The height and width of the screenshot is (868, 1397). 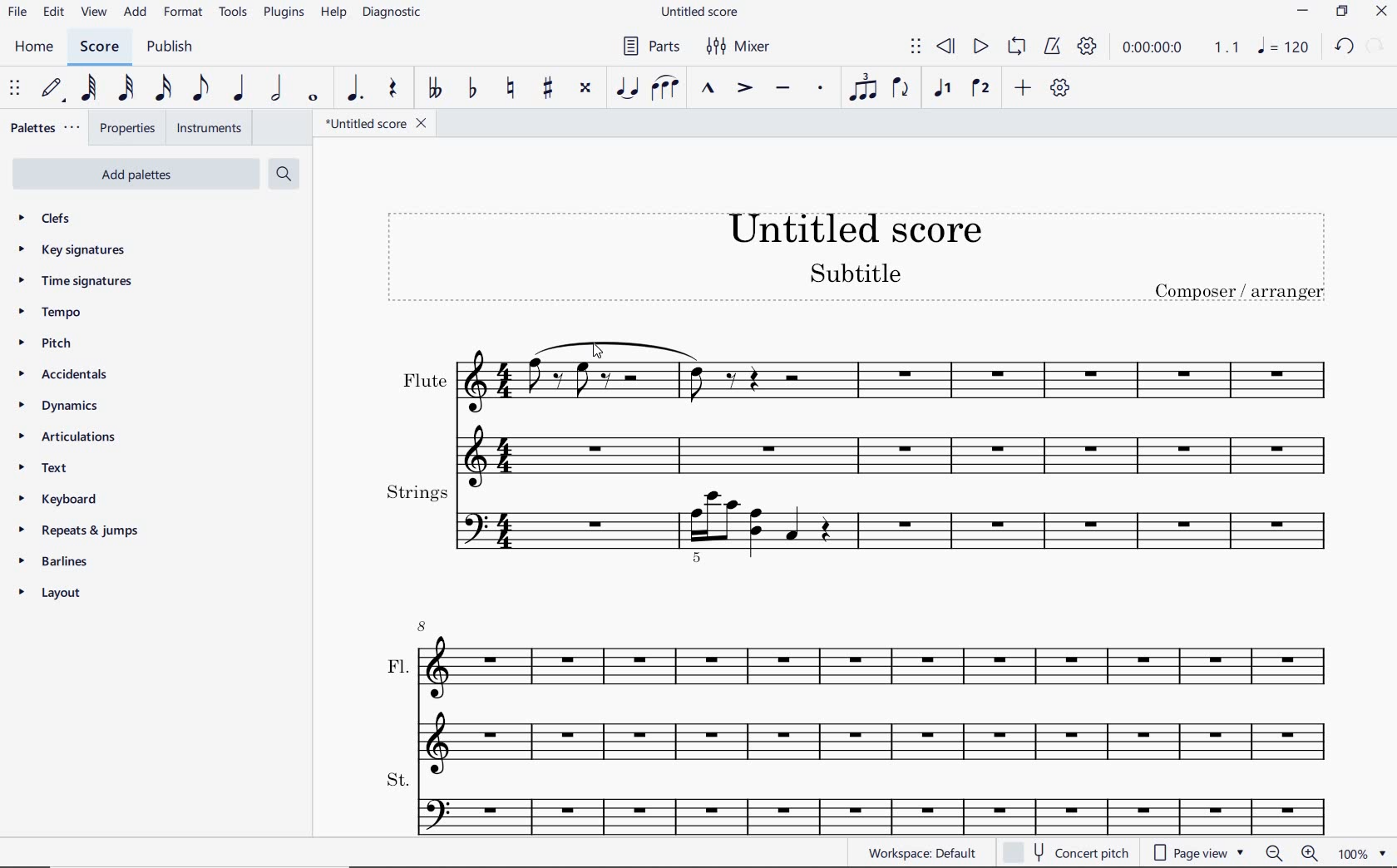 What do you see at coordinates (862, 403) in the screenshot?
I see `Flute` at bounding box center [862, 403].